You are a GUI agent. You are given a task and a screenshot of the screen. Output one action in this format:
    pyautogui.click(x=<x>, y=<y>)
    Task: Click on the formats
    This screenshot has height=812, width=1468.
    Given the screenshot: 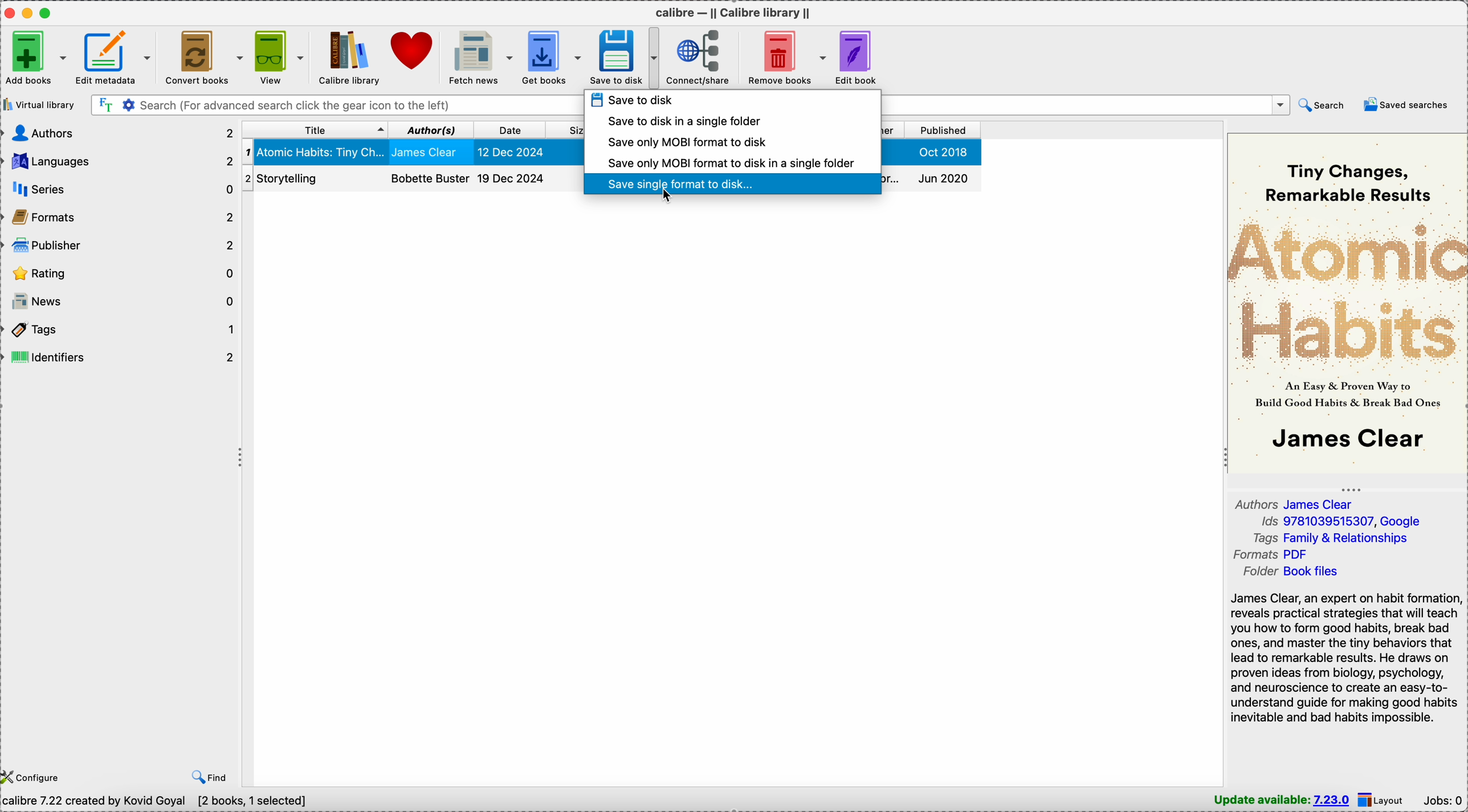 What is the action you would take?
    pyautogui.click(x=122, y=219)
    